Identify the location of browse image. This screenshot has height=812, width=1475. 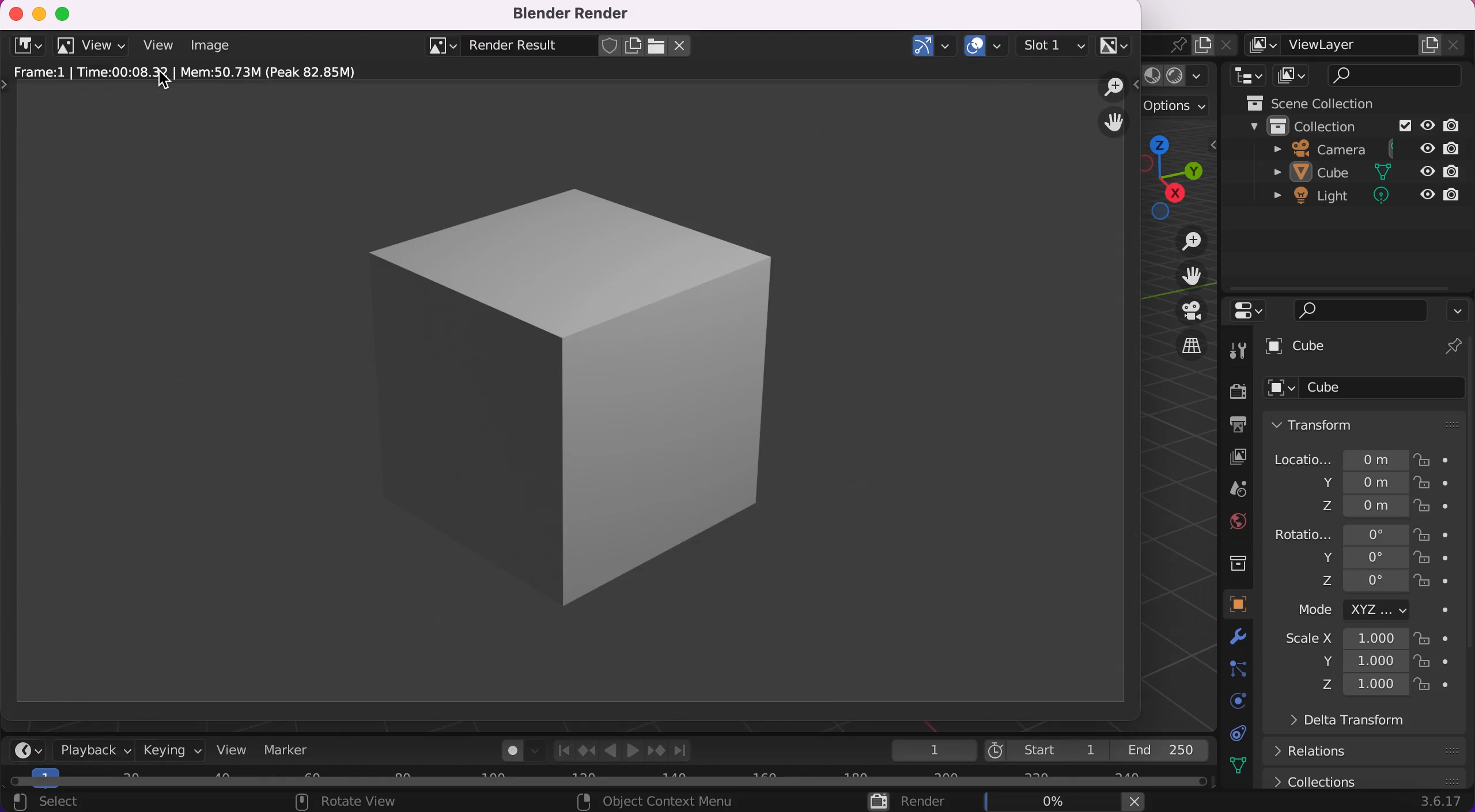
(437, 44).